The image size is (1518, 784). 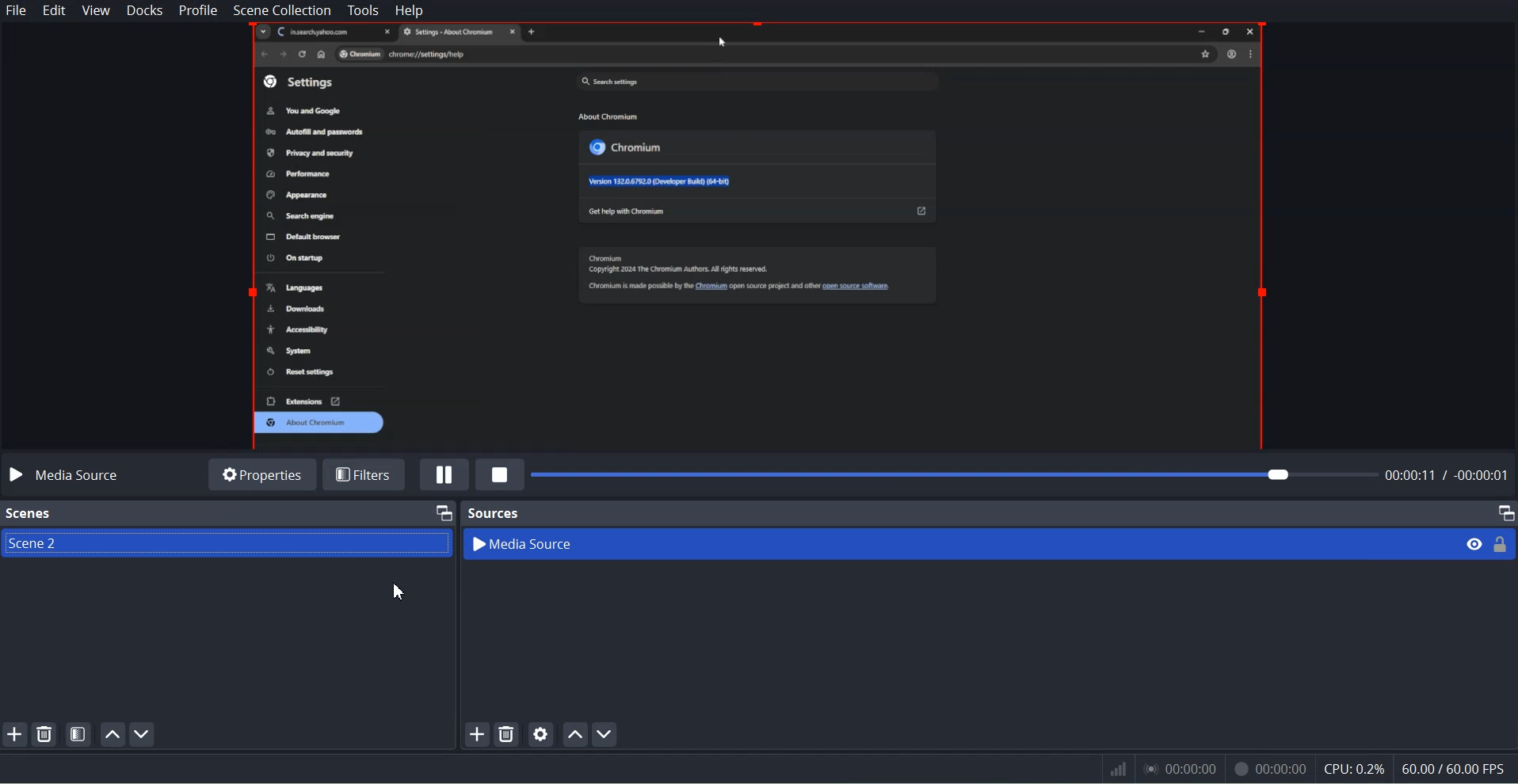 I want to click on Lock, so click(x=1501, y=543).